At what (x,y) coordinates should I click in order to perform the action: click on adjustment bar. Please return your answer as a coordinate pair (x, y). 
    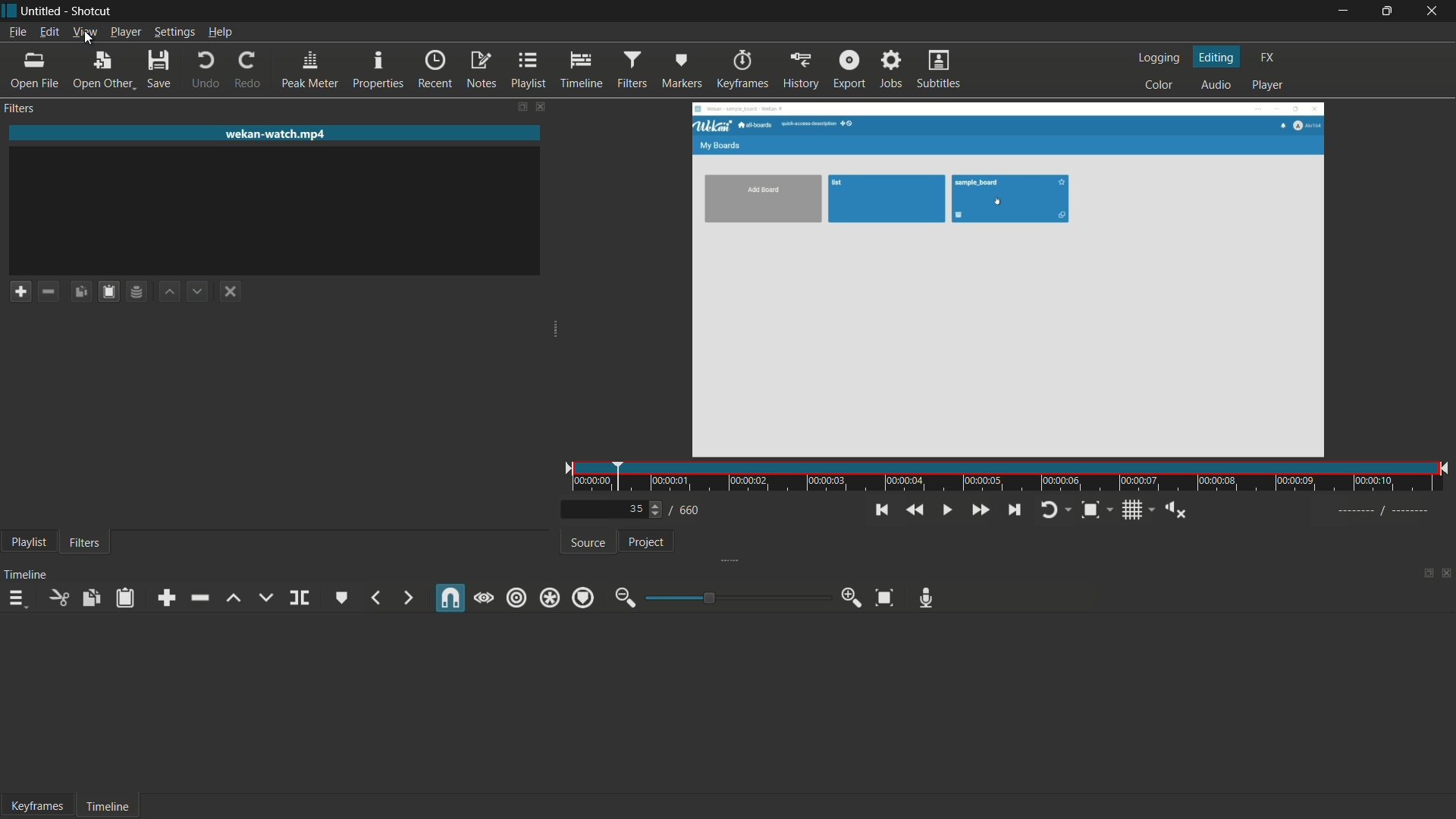
    Looking at the image, I should click on (733, 598).